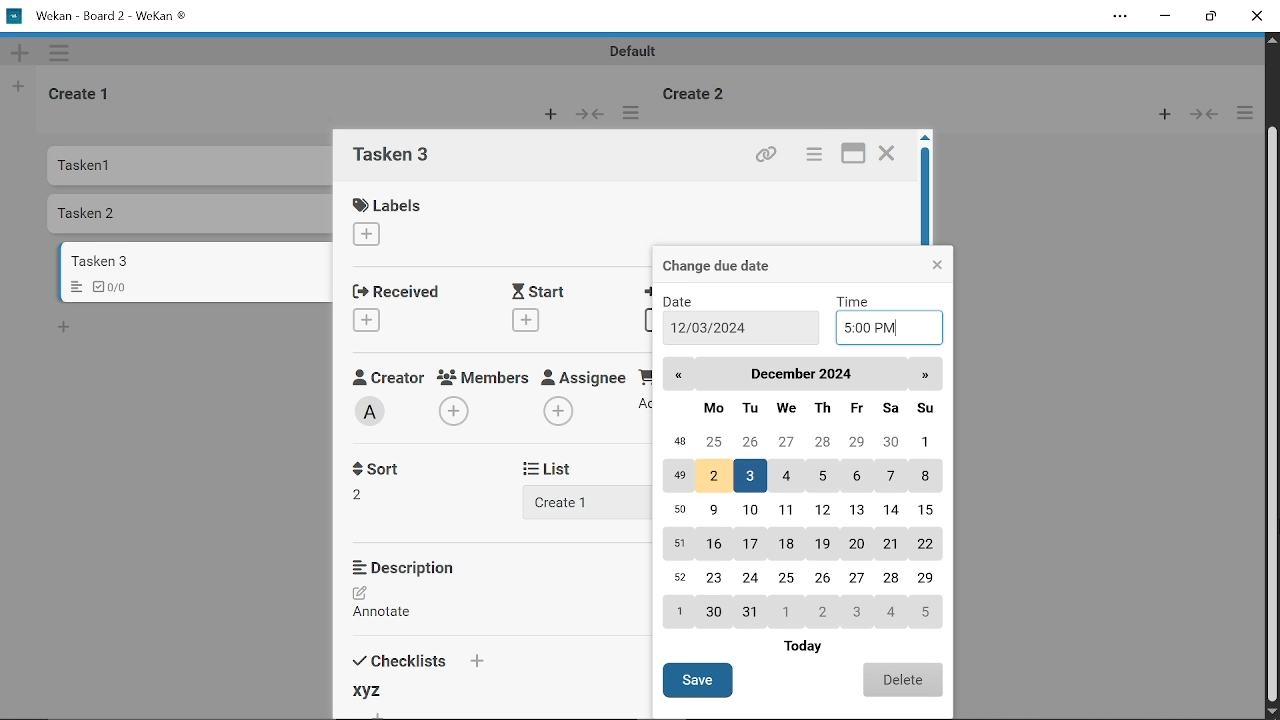  I want to click on List, so click(560, 468).